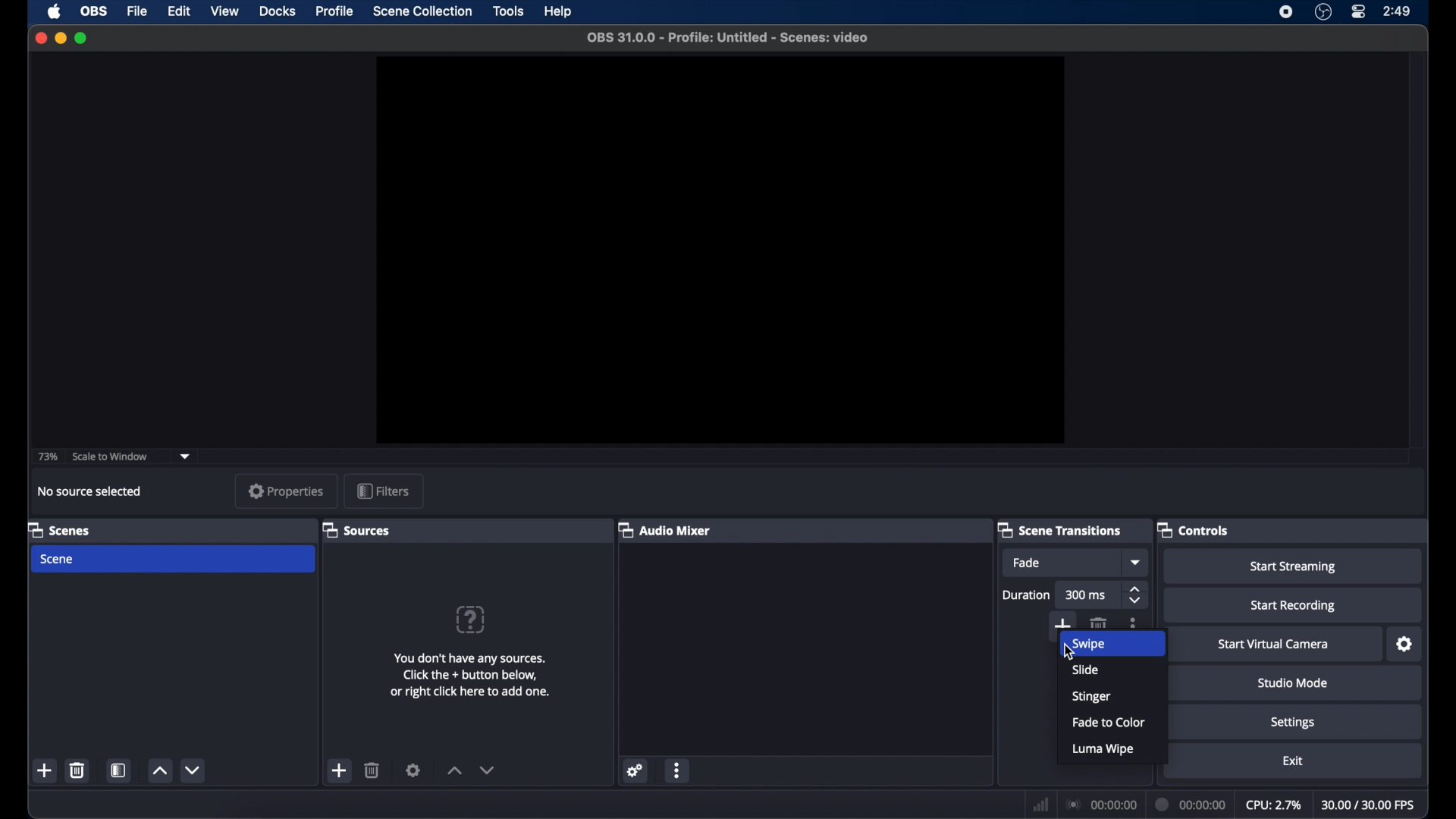 The image size is (1456, 819). I want to click on settings, so click(635, 770).